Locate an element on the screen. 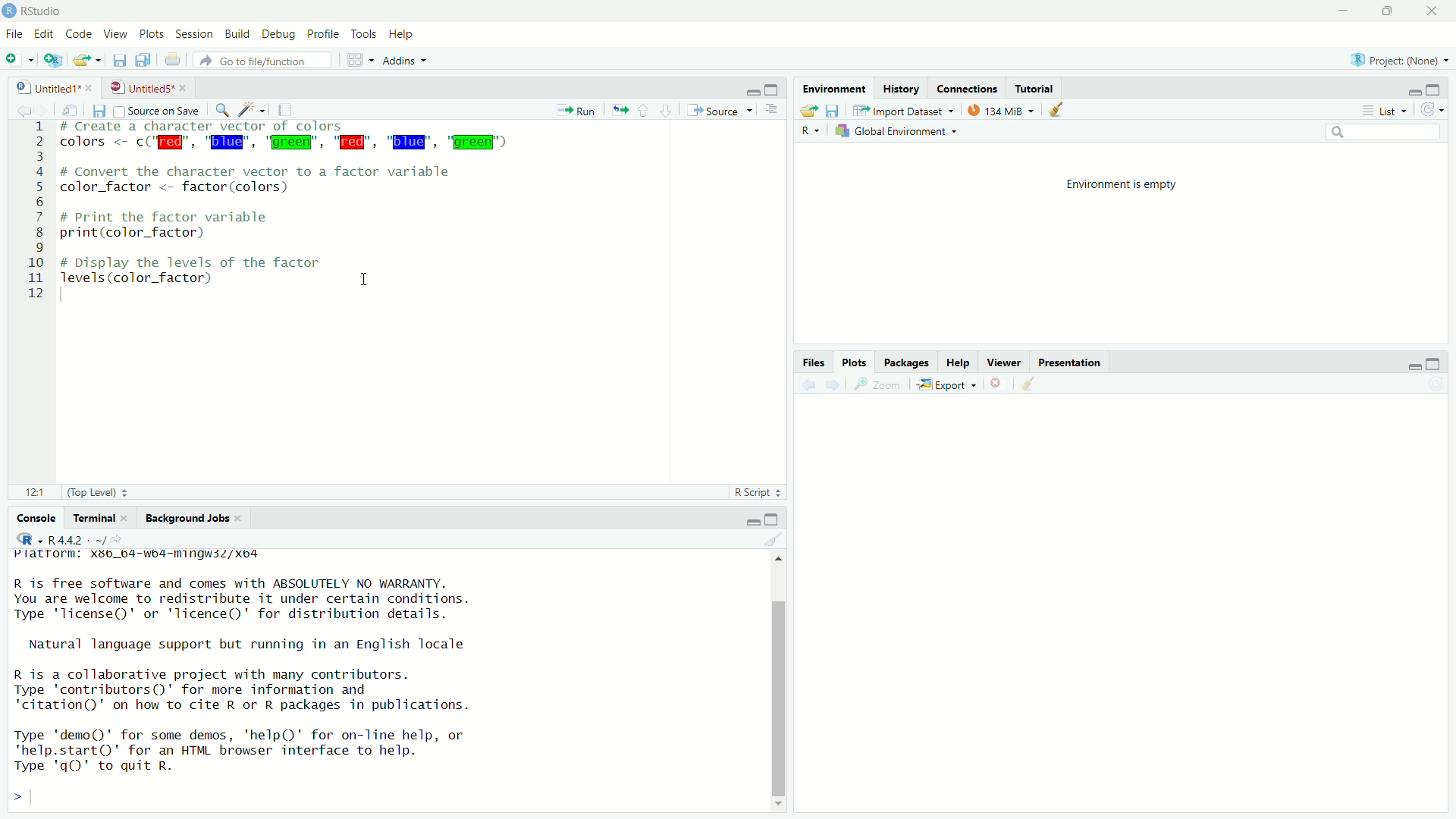  terminal is located at coordinates (101, 517).